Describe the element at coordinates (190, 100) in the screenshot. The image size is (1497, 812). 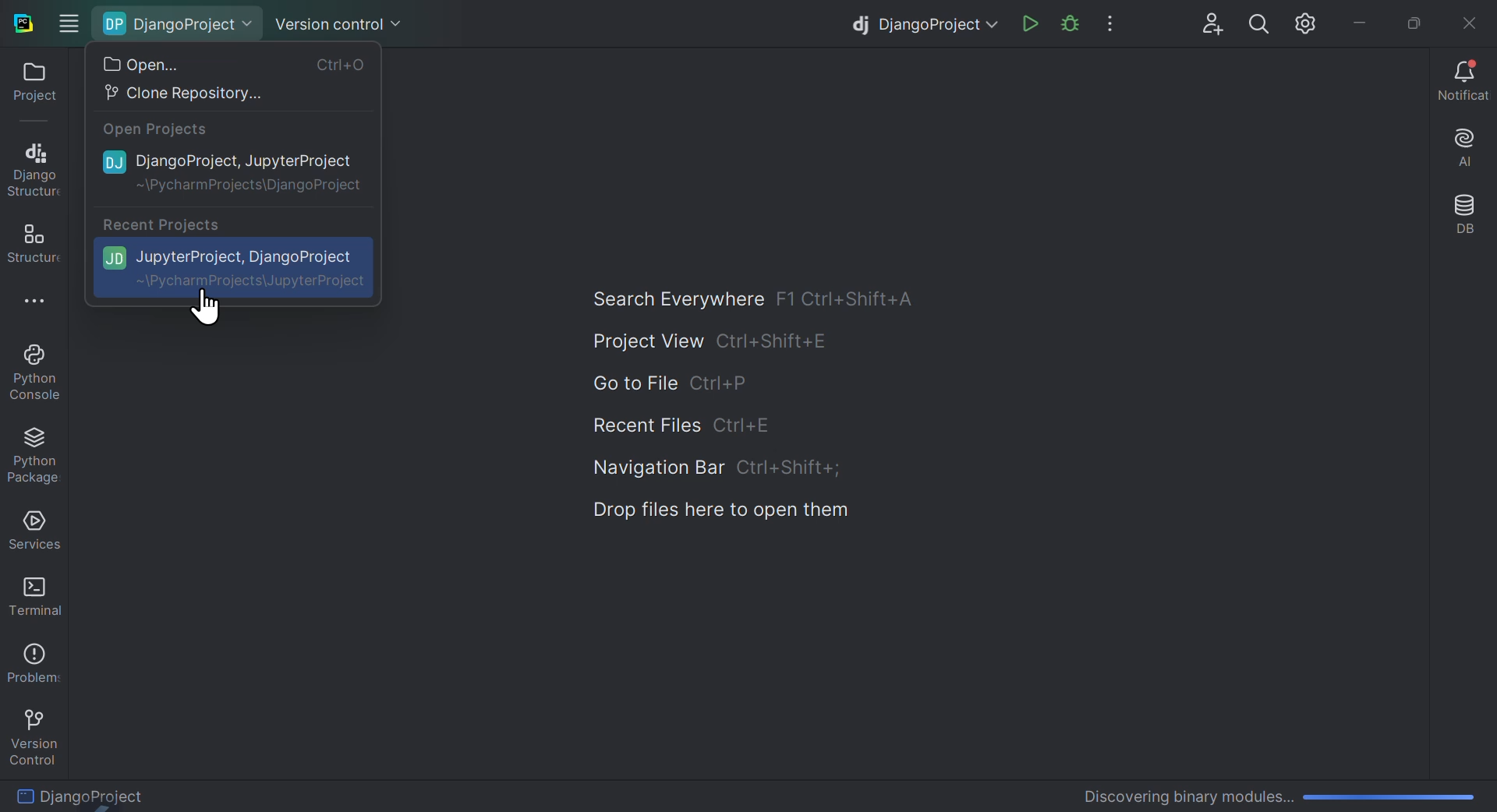
I see `Clone repository` at that location.